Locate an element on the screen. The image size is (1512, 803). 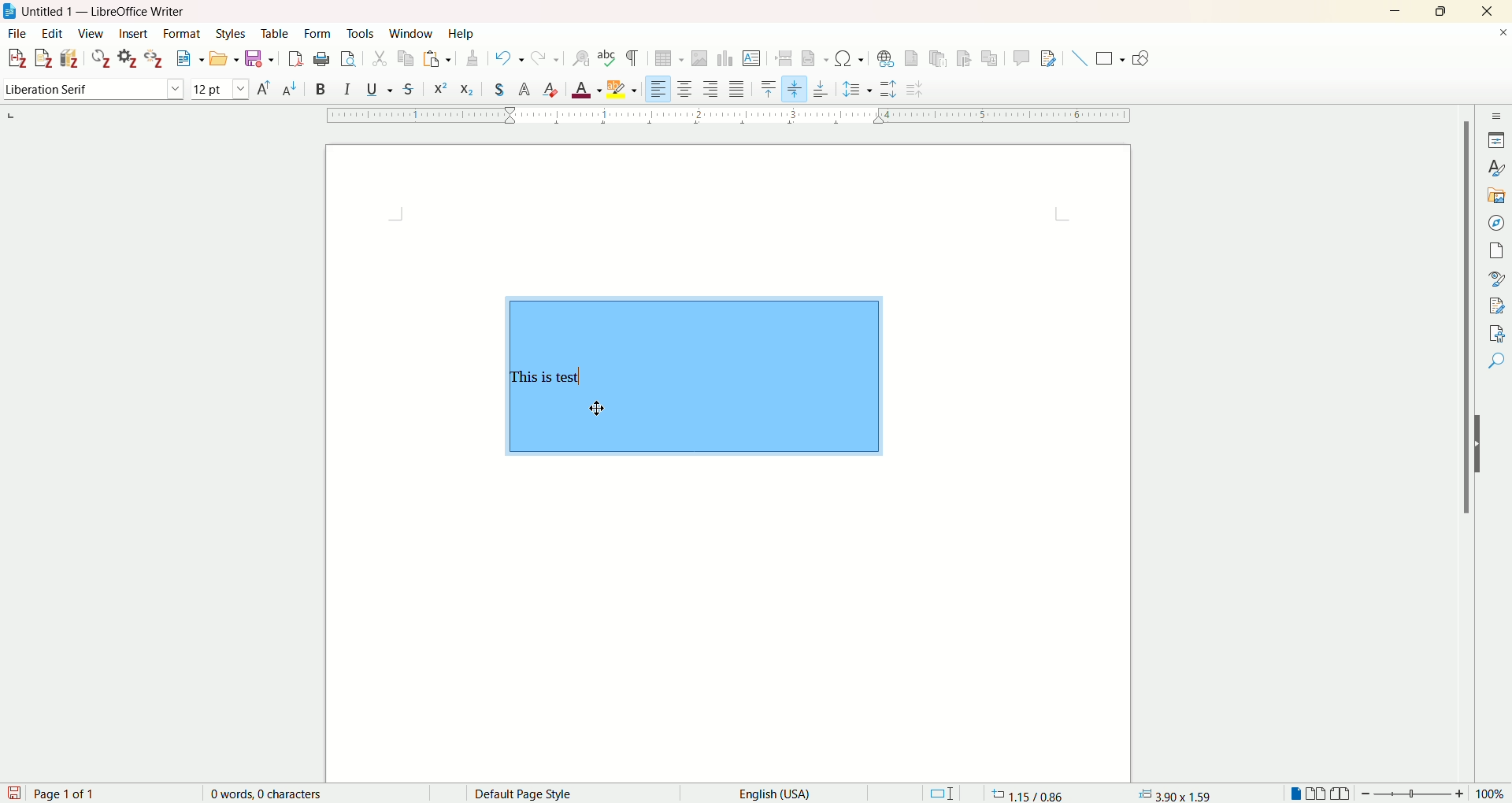
insert table is located at coordinates (671, 59).